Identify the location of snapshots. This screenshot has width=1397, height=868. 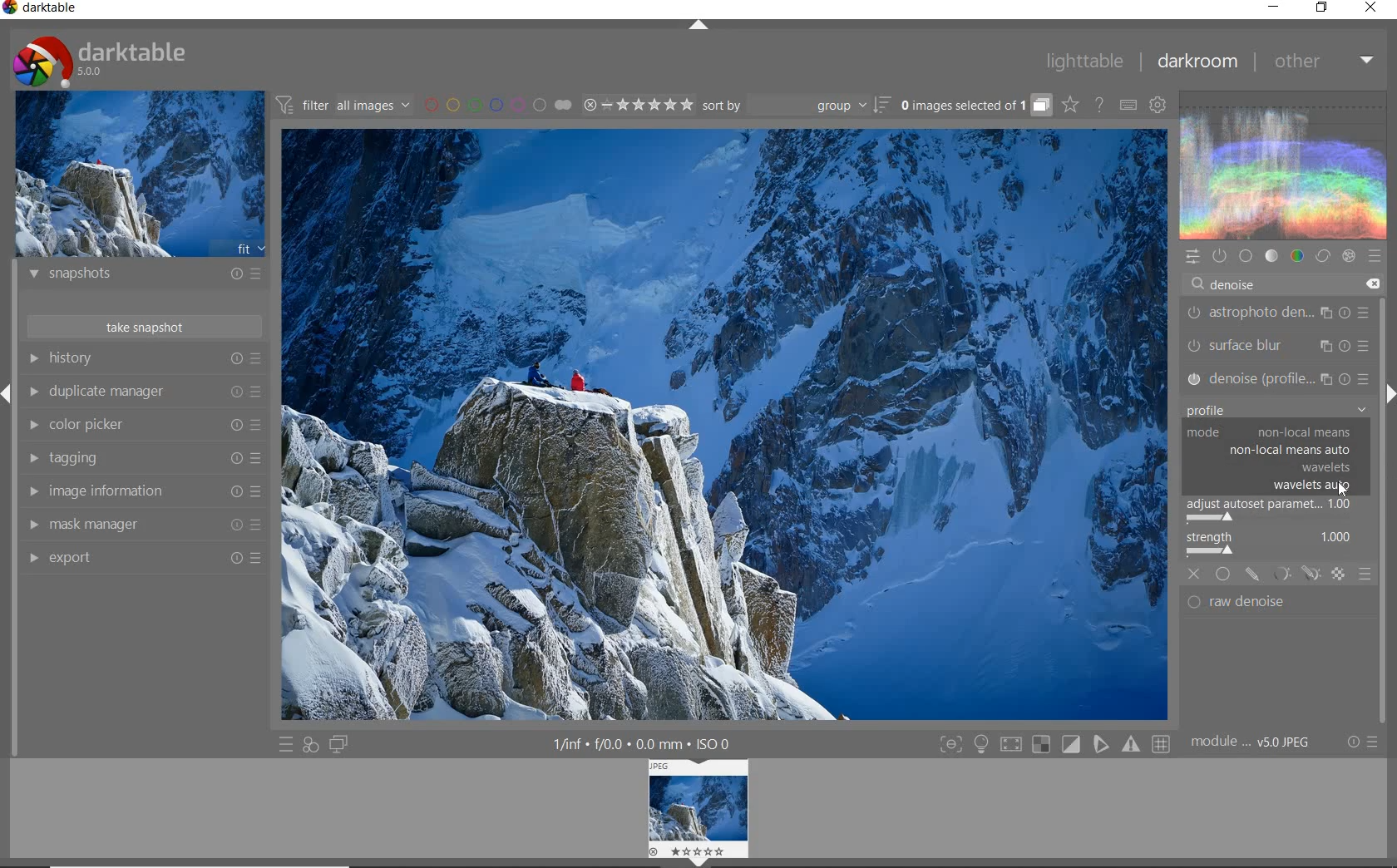
(146, 276).